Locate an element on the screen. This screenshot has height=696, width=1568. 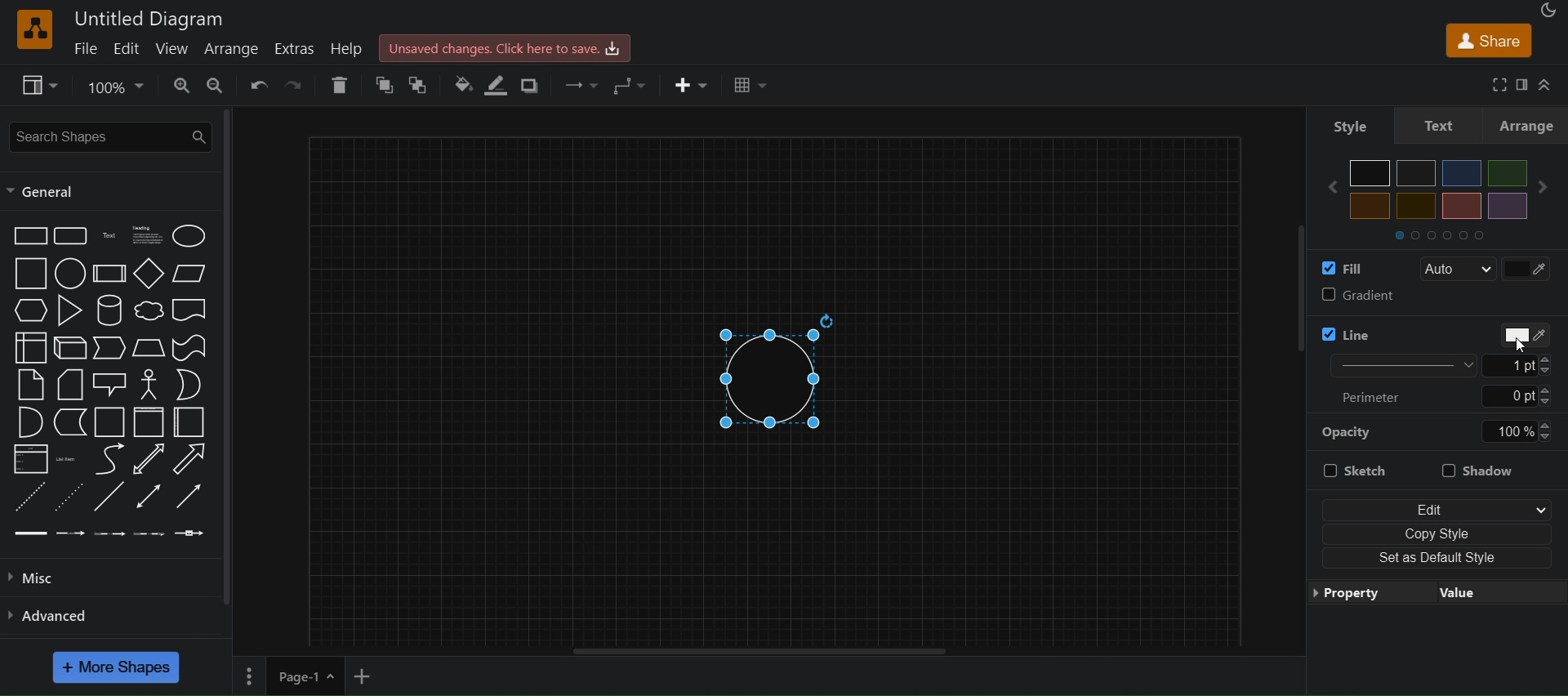
fullscreen is located at coordinates (1494, 84).